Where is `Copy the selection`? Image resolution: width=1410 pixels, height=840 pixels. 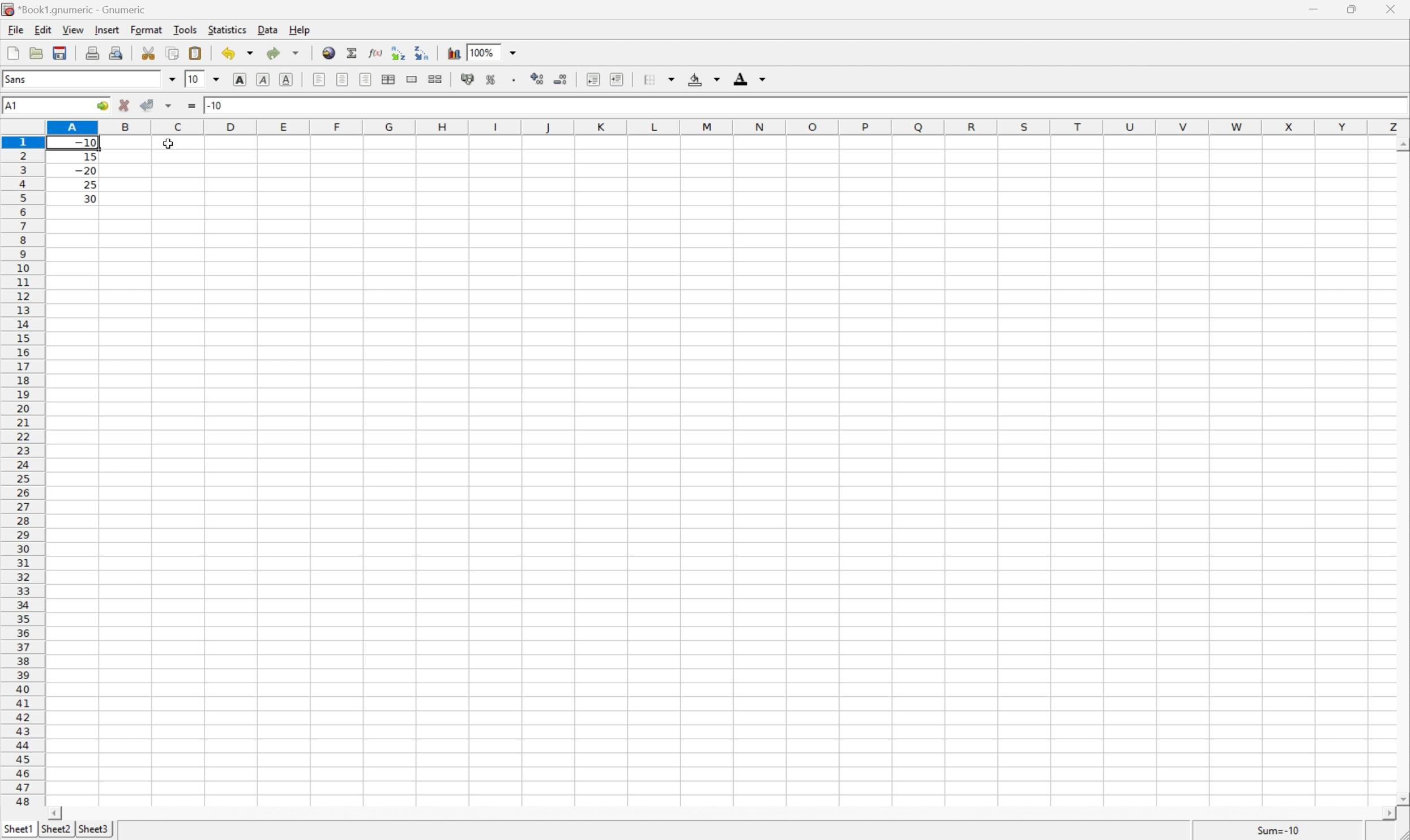
Copy the selection is located at coordinates (172, 53).